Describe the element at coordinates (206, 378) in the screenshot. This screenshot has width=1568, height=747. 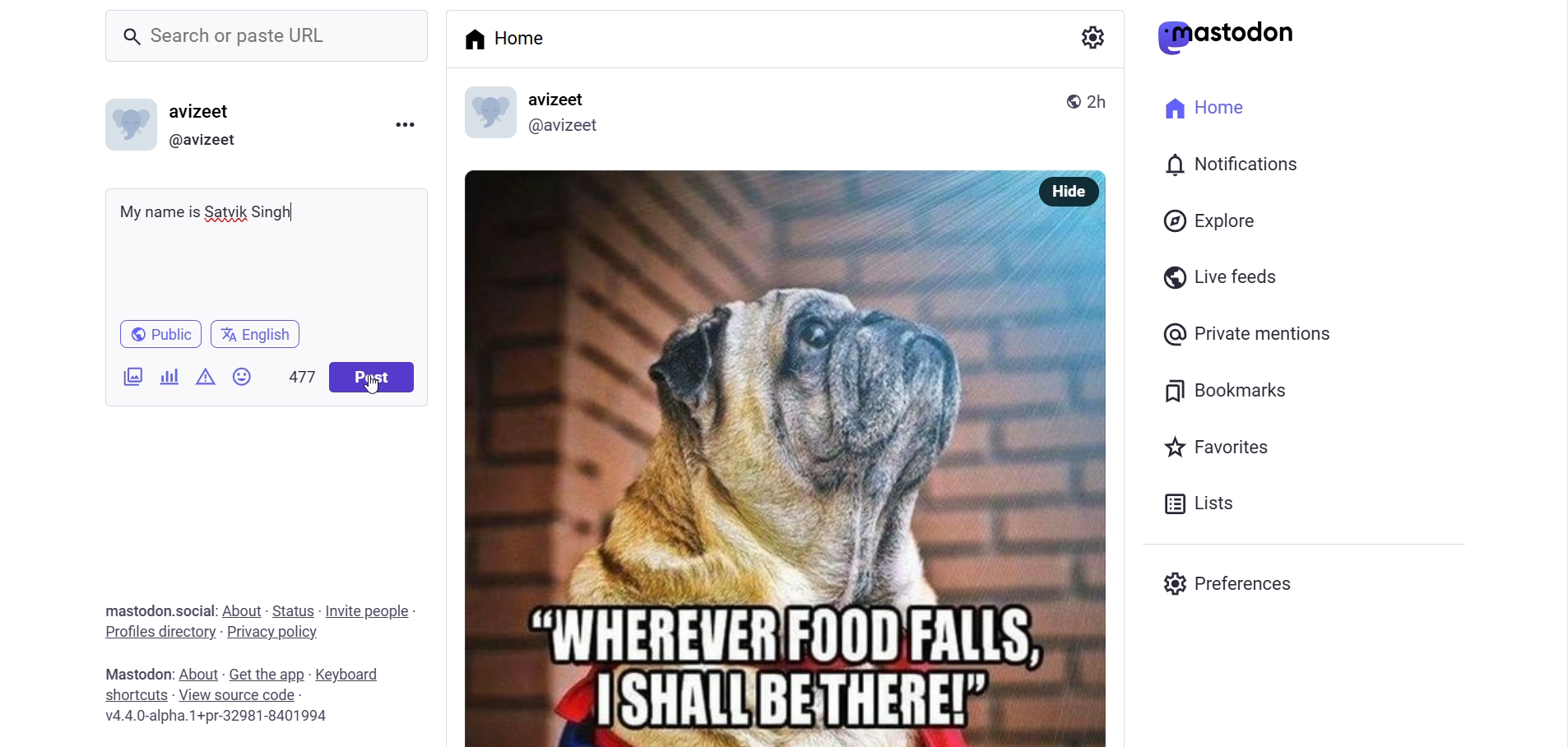
I see `content warning` at that location.